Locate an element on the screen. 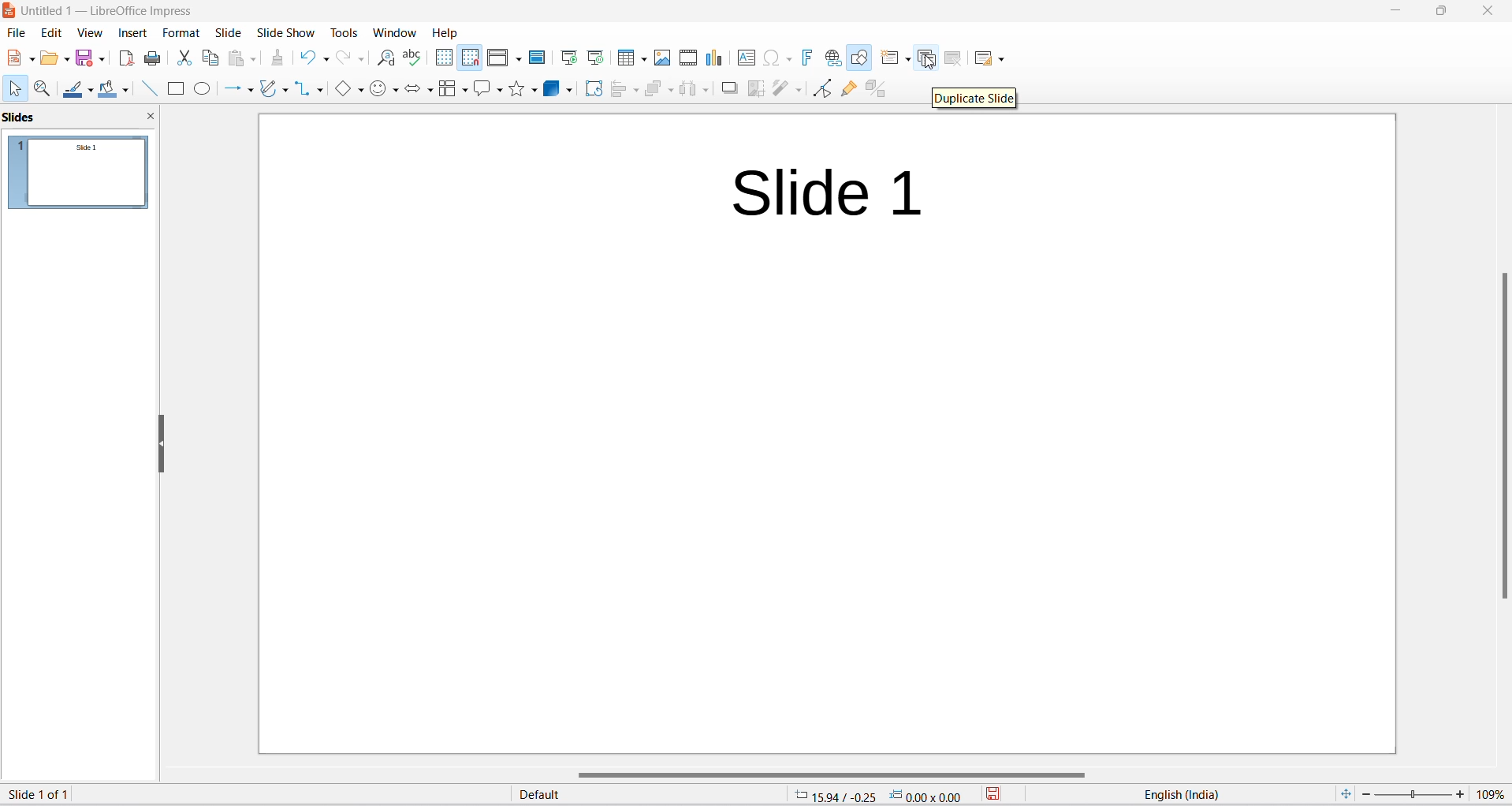 This screenshot has width=1512, height=806. print is located at coordinates (154, 61).